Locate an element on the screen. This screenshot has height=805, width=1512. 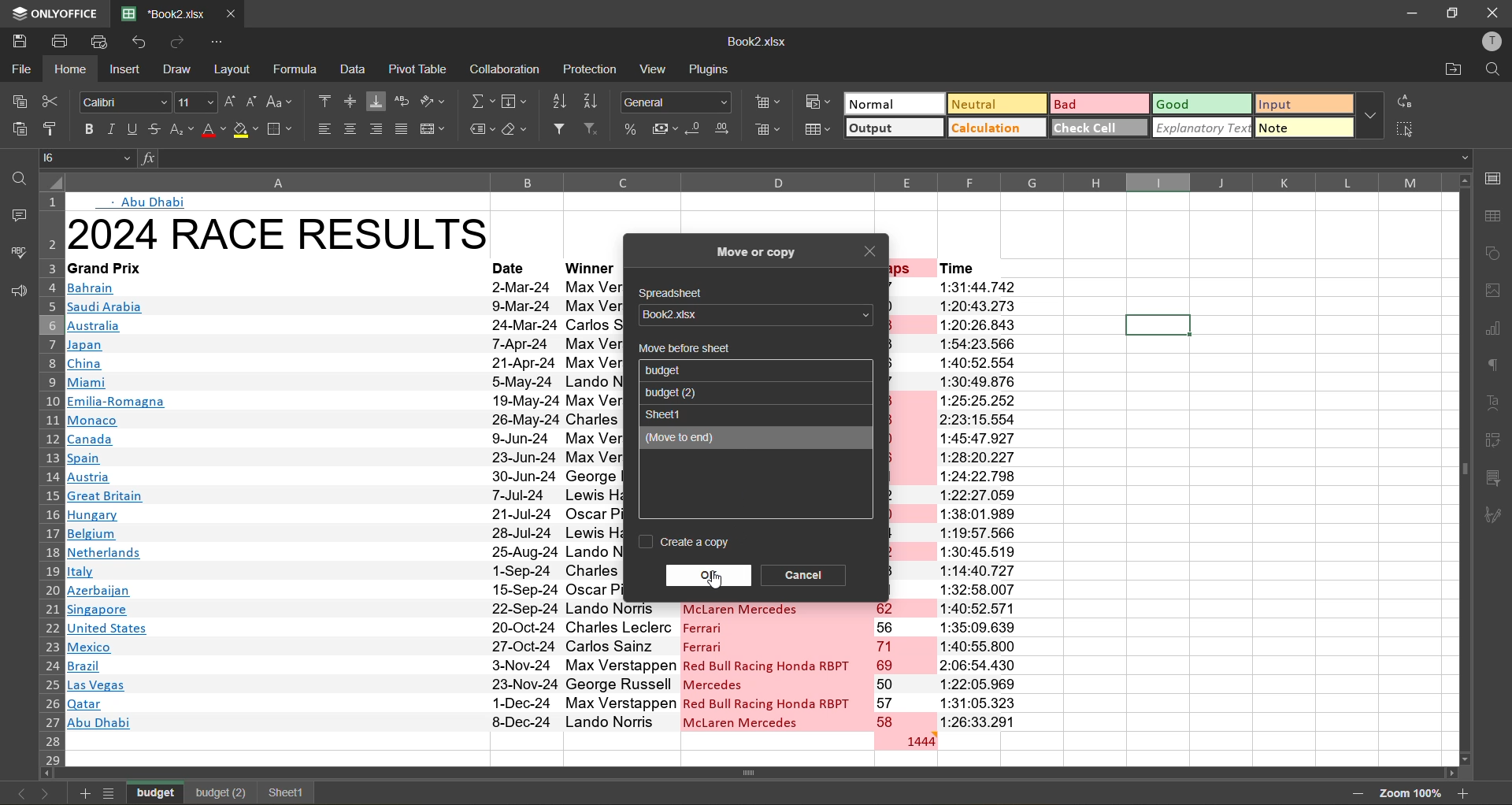
decrement size is located at coordinates (254, 102).